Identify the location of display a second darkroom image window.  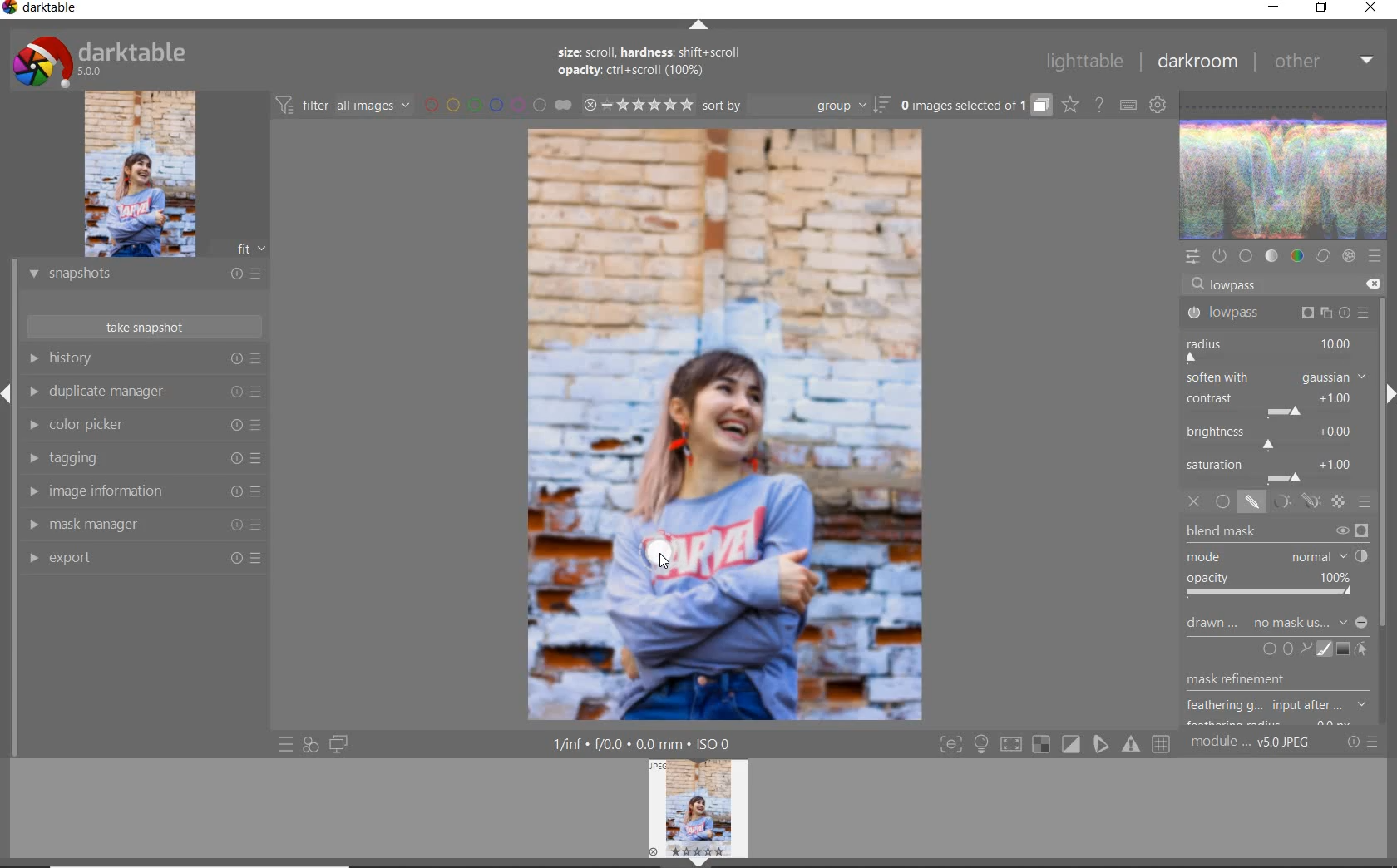
(339, 743).